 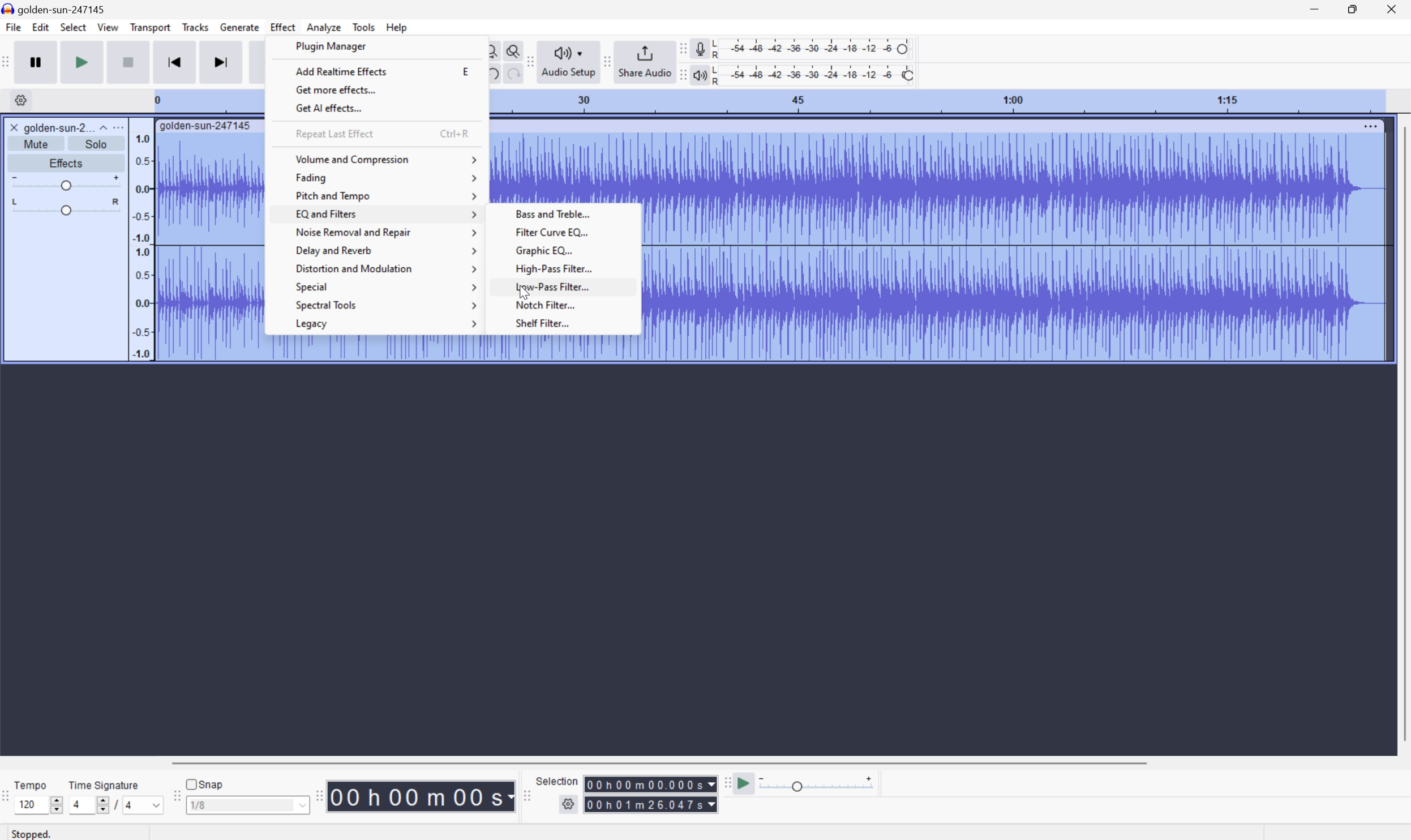 I want to click on Audacity playback meter toolbar, so click(x=680, y=76).